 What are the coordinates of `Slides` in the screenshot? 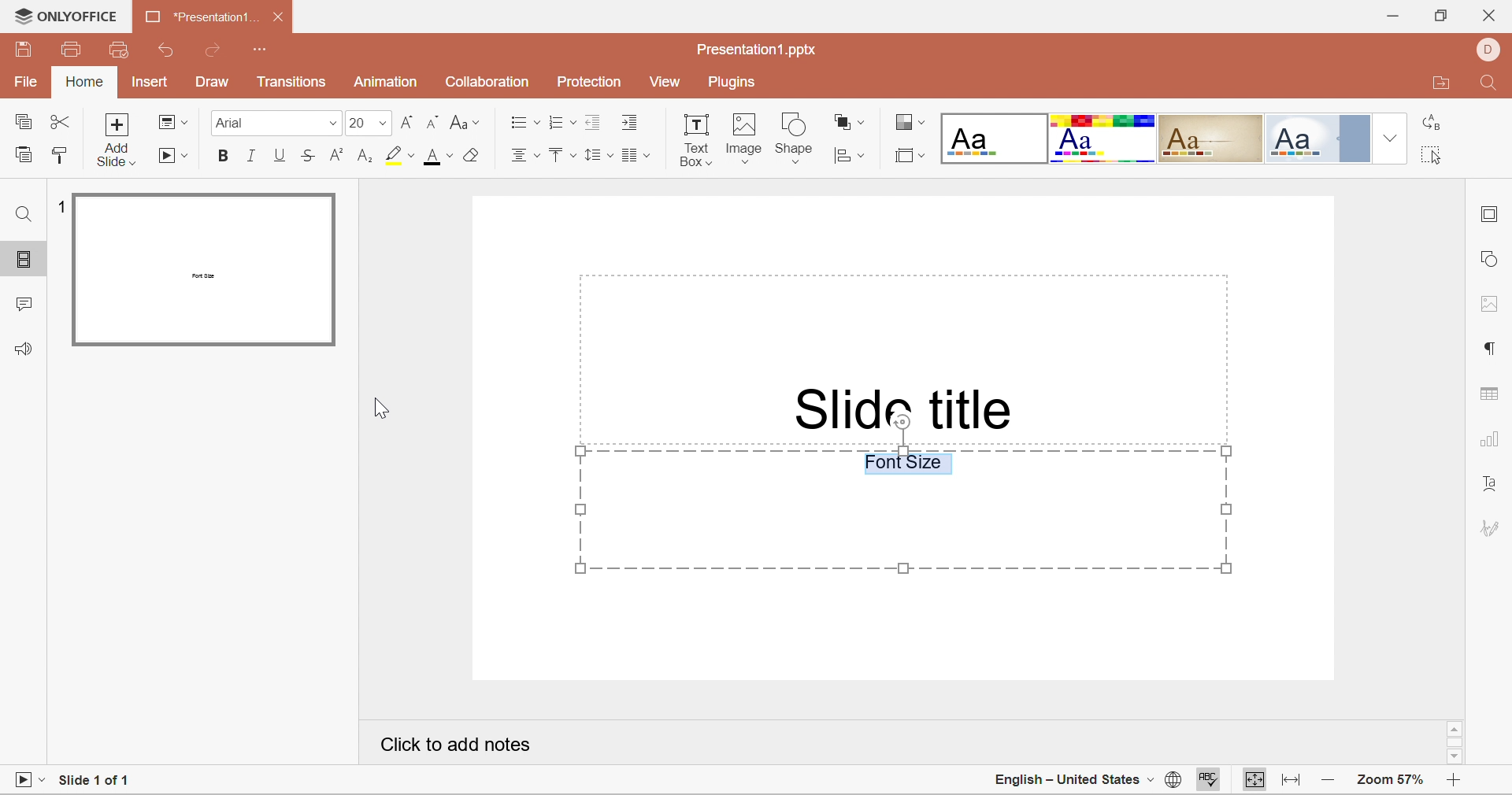 It's located at (26, 261).